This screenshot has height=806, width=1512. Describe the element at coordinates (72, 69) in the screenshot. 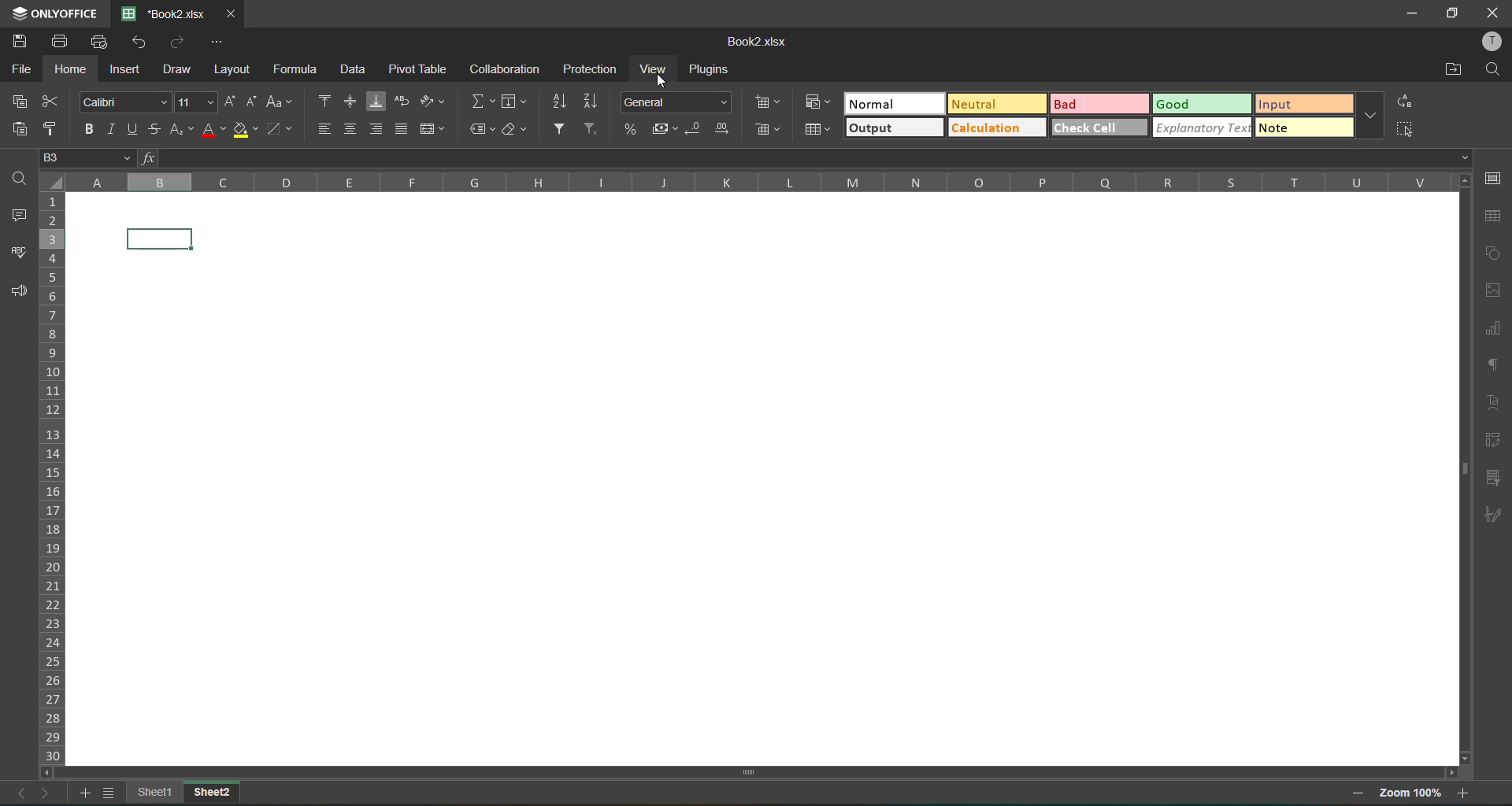

I see `Home` at that location.